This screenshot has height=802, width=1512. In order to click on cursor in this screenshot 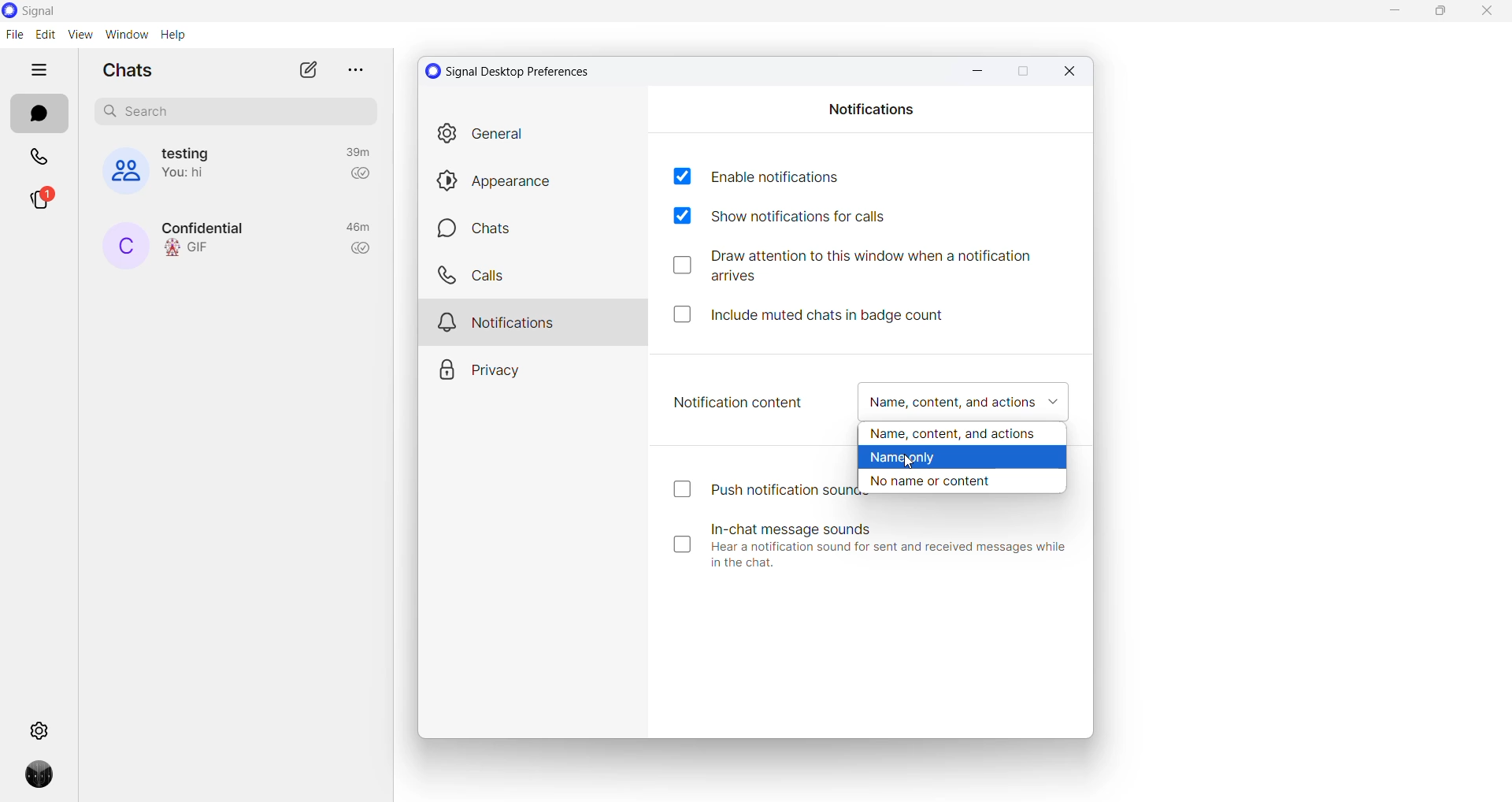, I will do `click(904, 461)`.